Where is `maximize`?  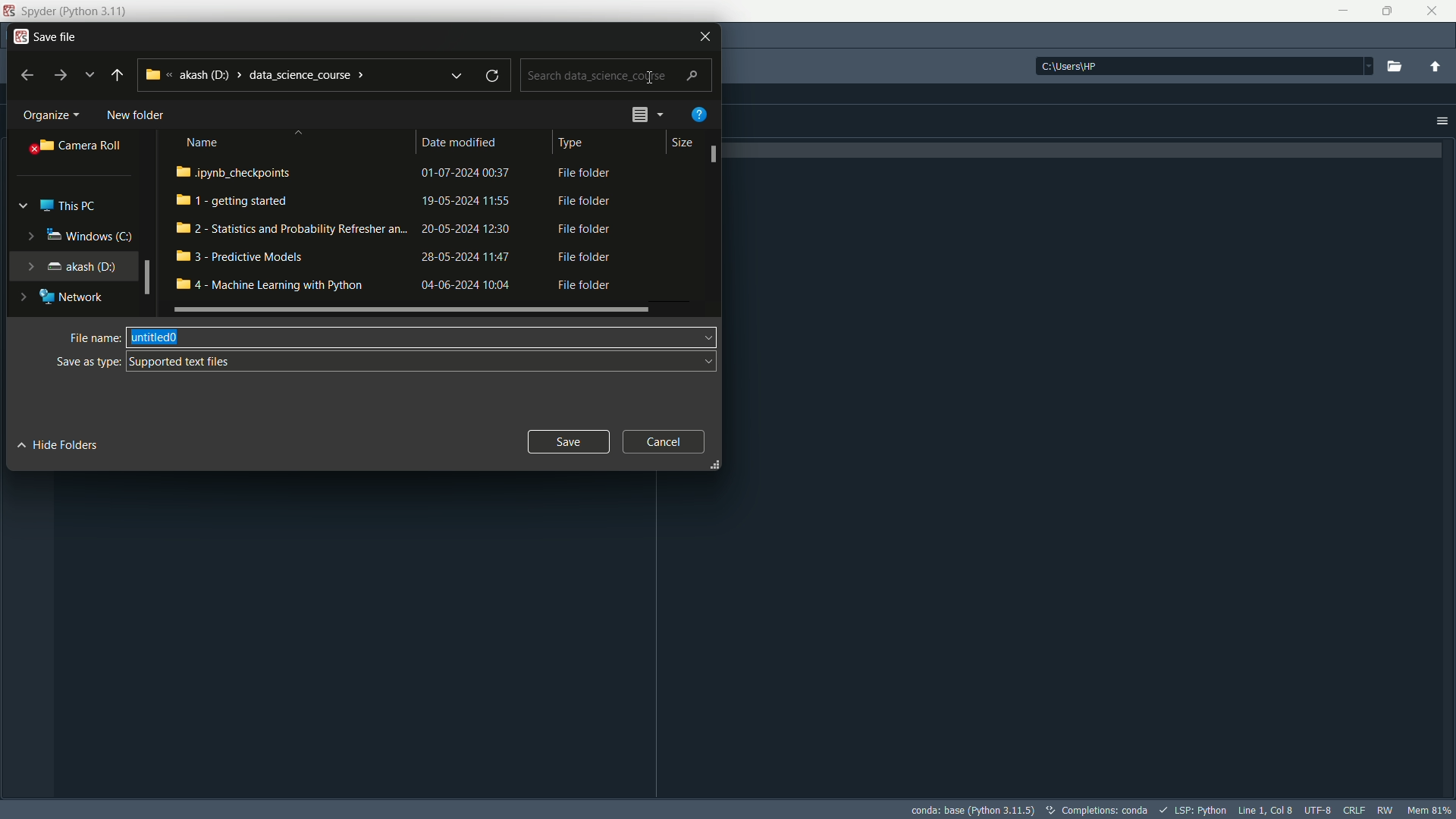 maximize is located at coordinates (1391, 11).